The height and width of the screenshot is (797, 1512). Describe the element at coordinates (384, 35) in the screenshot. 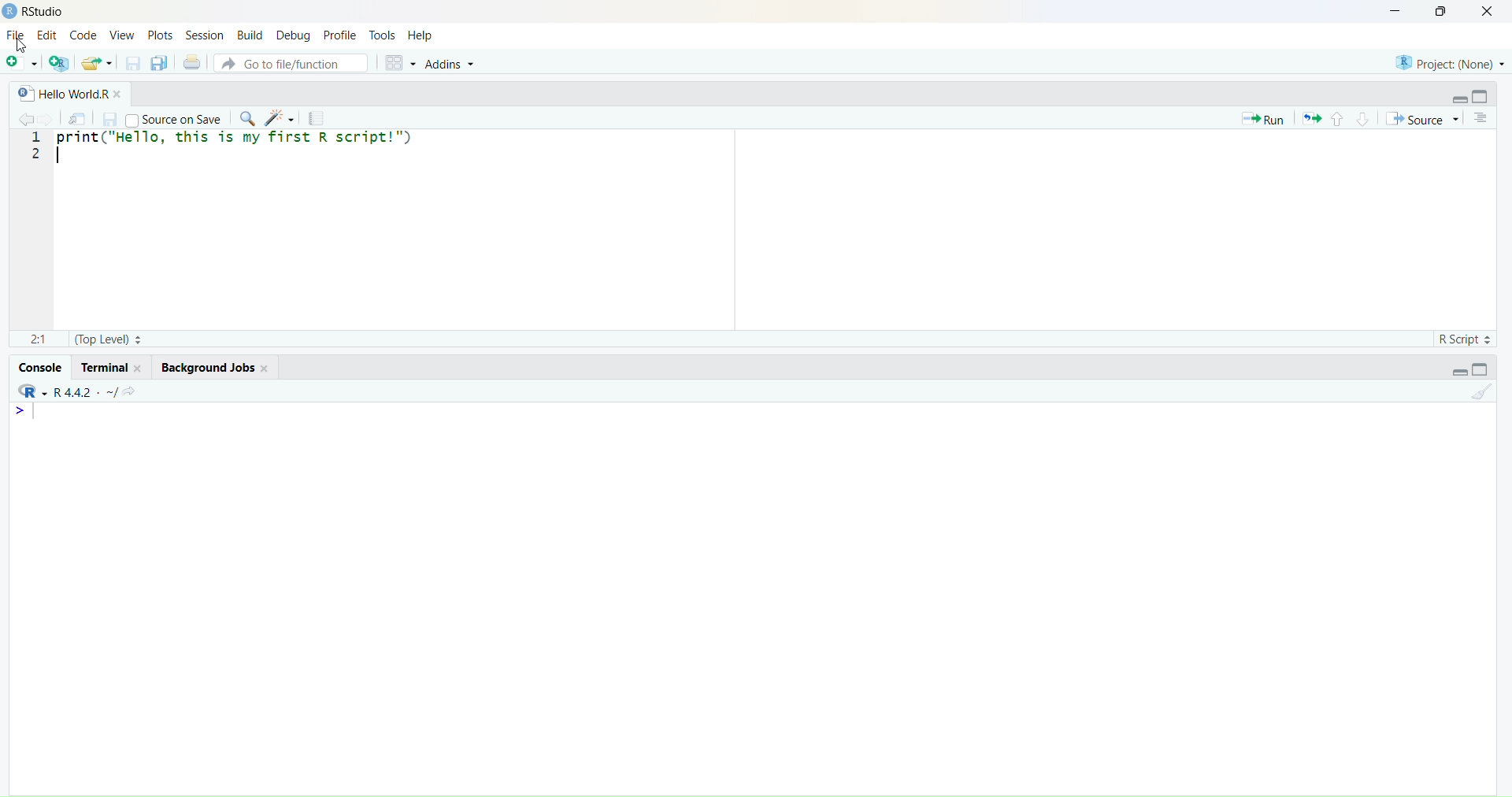

I see `Tools` at that location.